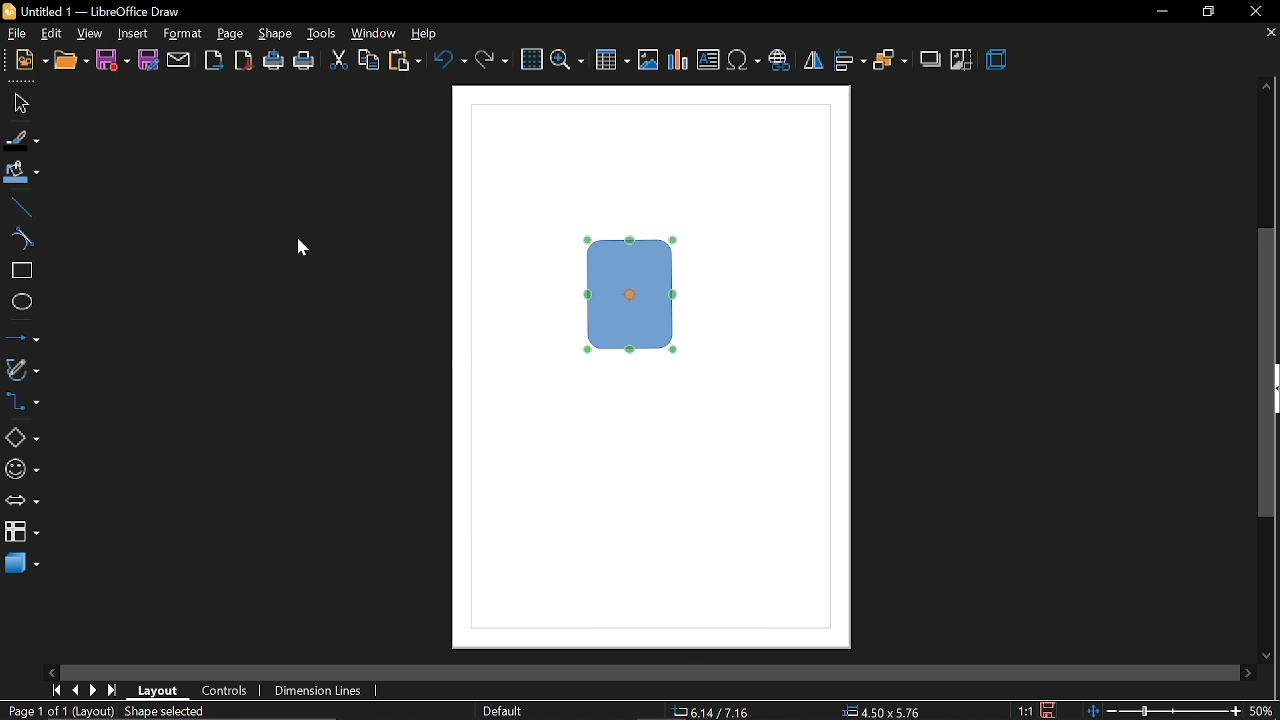 This screenshot has width=1280, height=720. I want to click on restore down, so click(1204, 13).